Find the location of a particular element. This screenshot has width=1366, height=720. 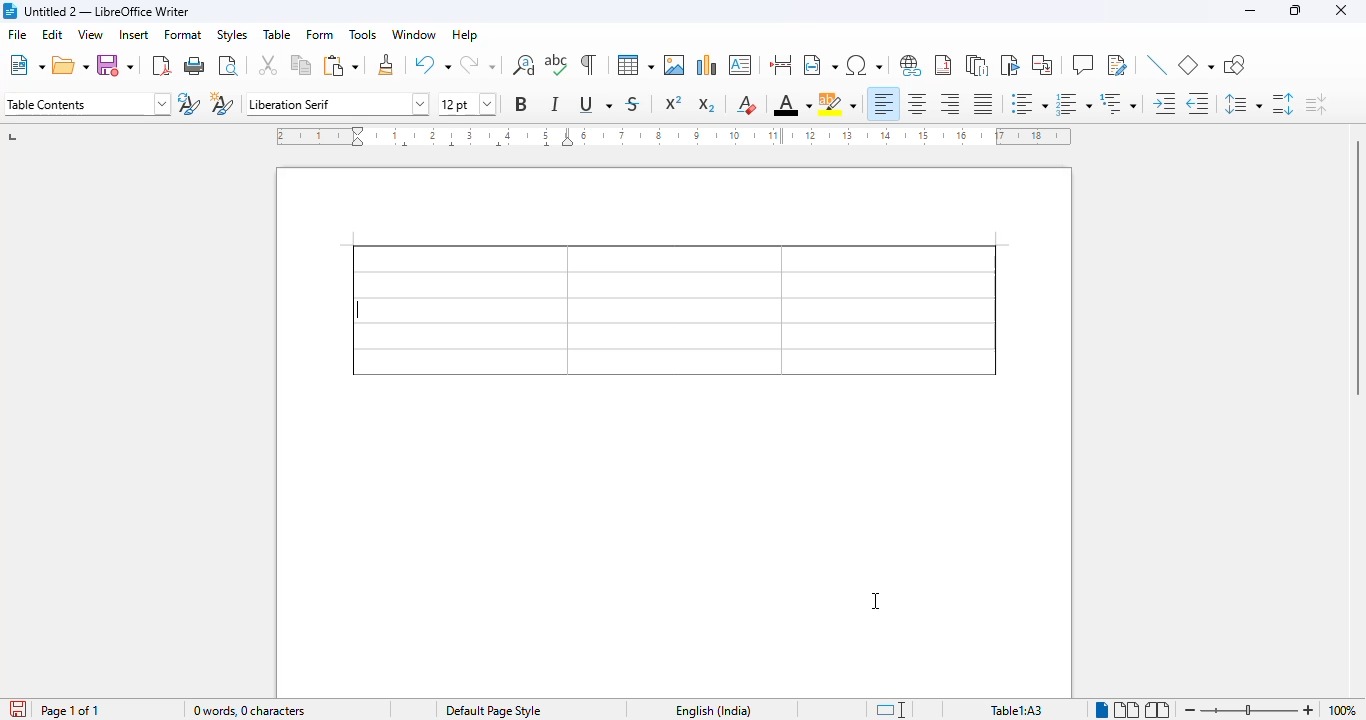

click to save the document is located at coordinates (18, 709).